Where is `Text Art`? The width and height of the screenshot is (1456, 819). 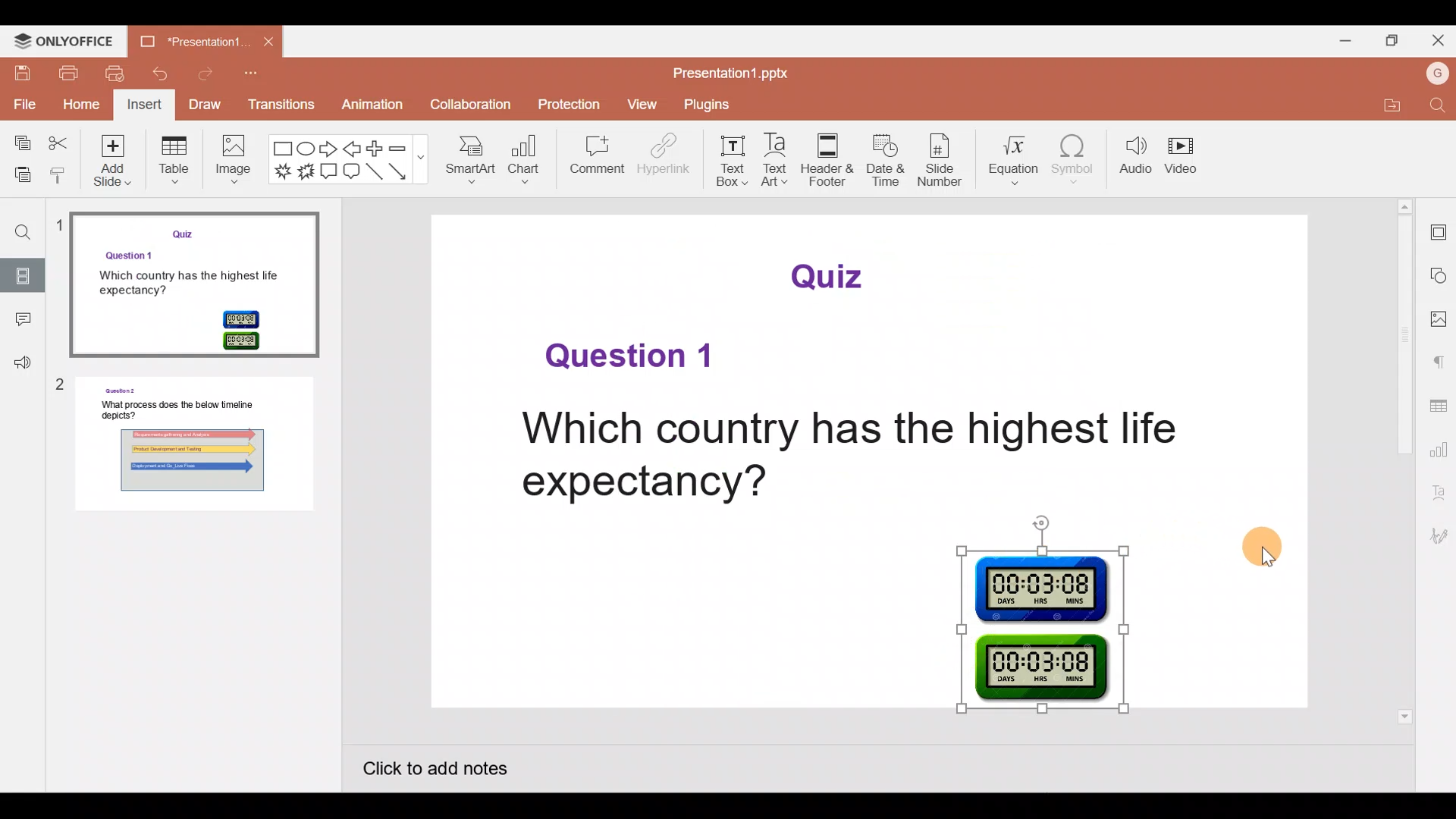
Text Art is located at coordinates (777, 160).